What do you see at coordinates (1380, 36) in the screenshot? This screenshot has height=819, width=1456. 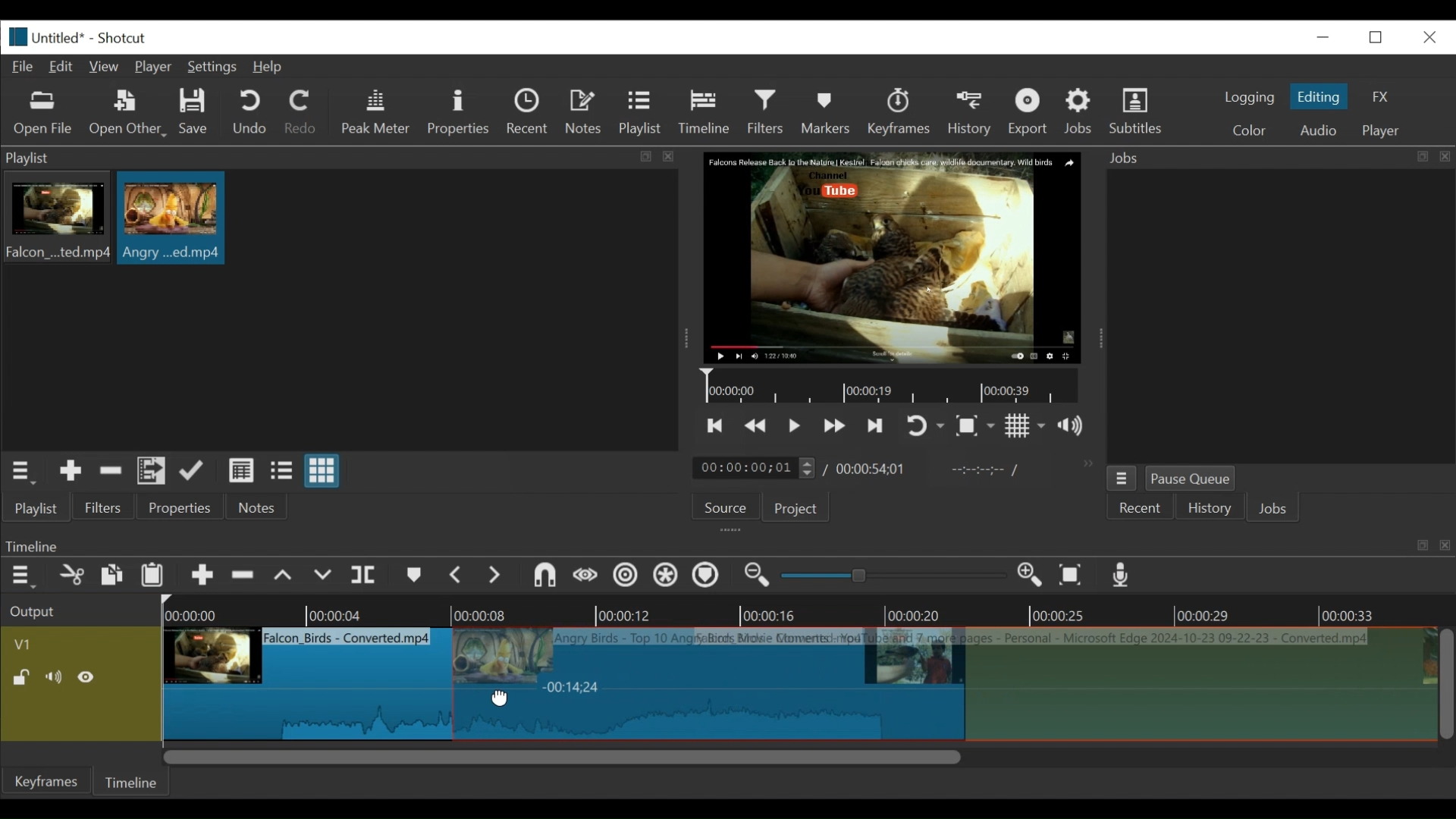 I see `restore` at bounding box center [1380, 36].